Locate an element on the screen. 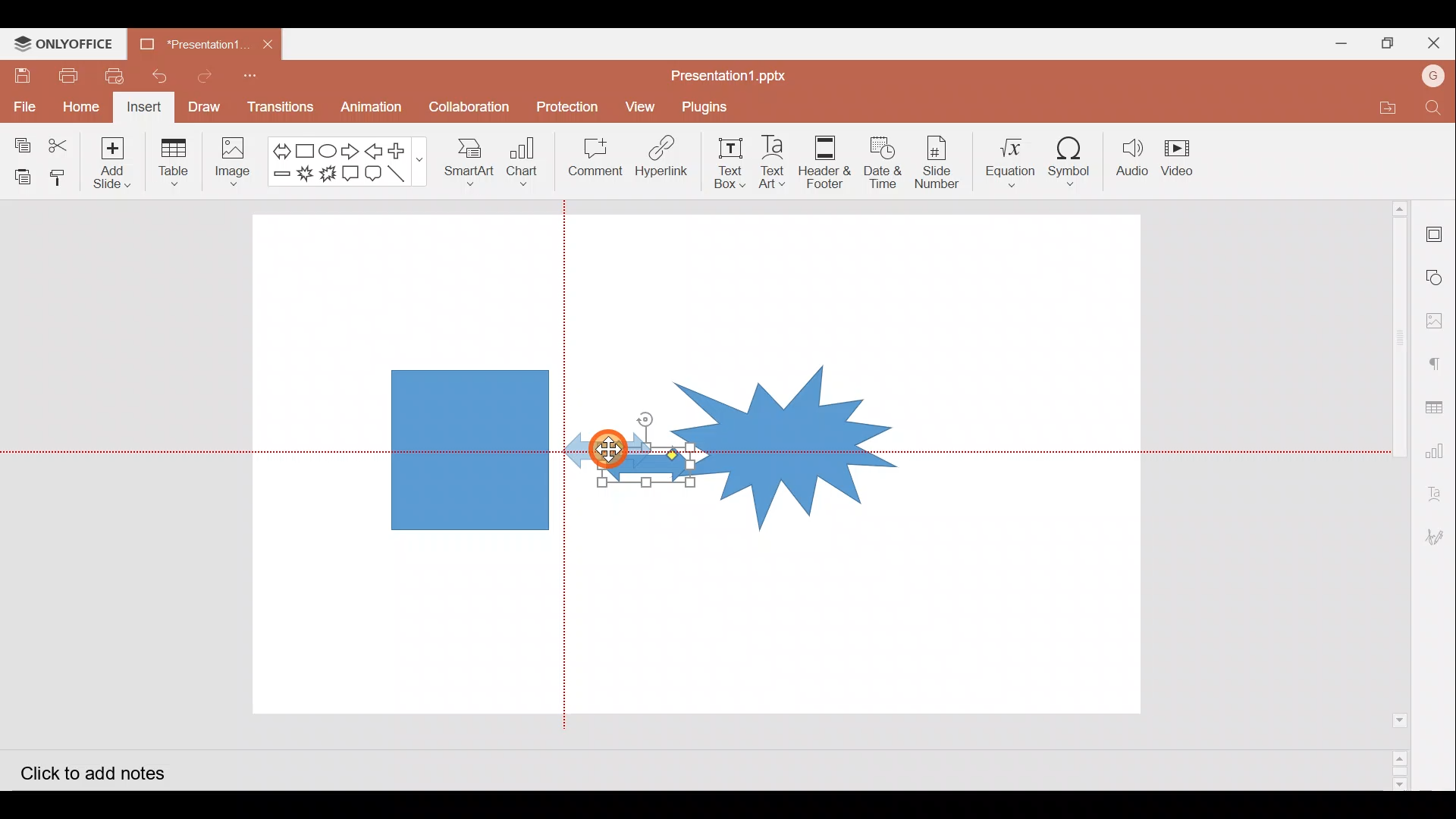  Maximize is located at coordinates (1384, 41).